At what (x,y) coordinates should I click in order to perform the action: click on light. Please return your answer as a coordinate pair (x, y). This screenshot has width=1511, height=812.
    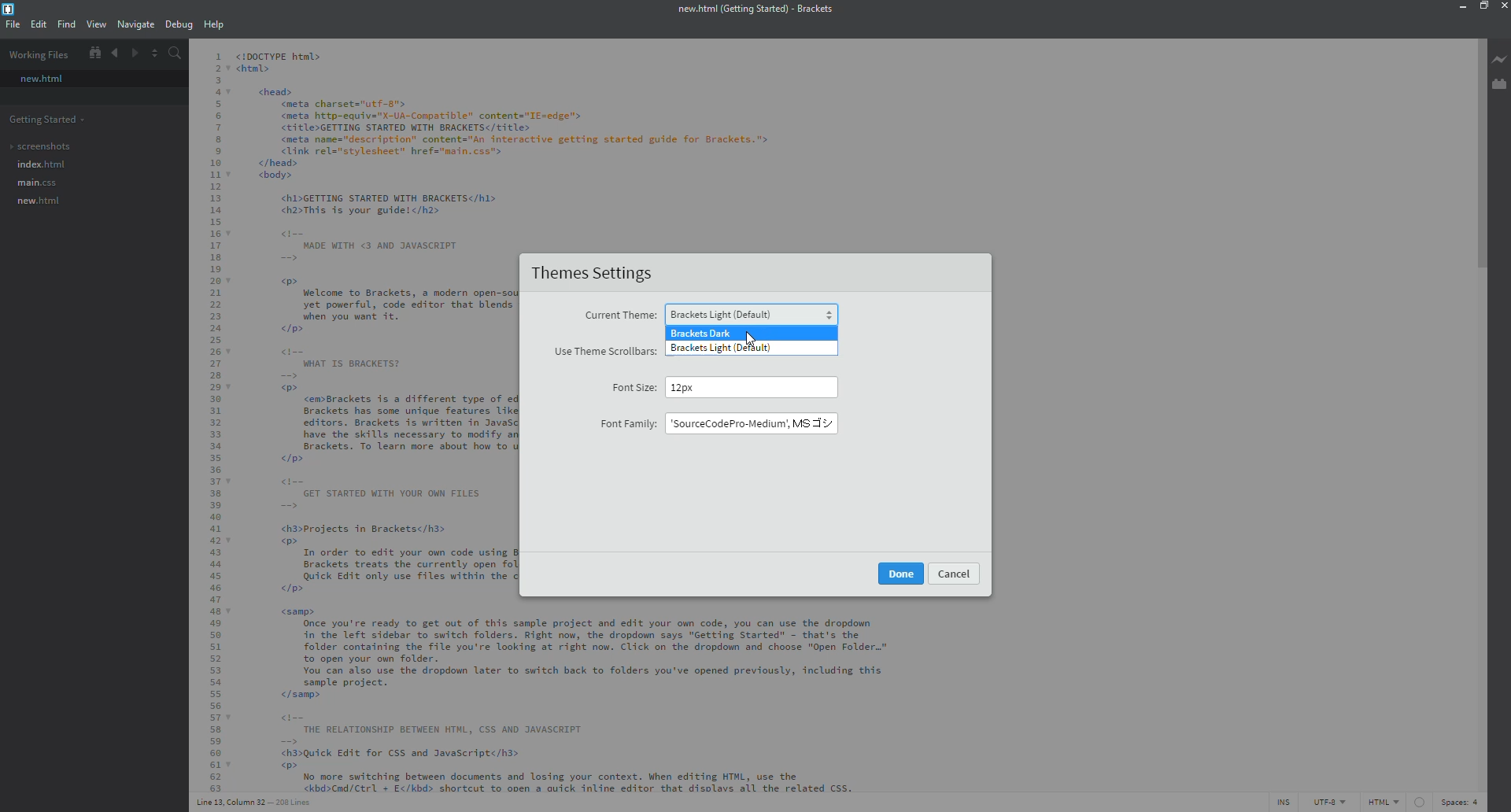
    Looking at the image, I should click on (723, 349).